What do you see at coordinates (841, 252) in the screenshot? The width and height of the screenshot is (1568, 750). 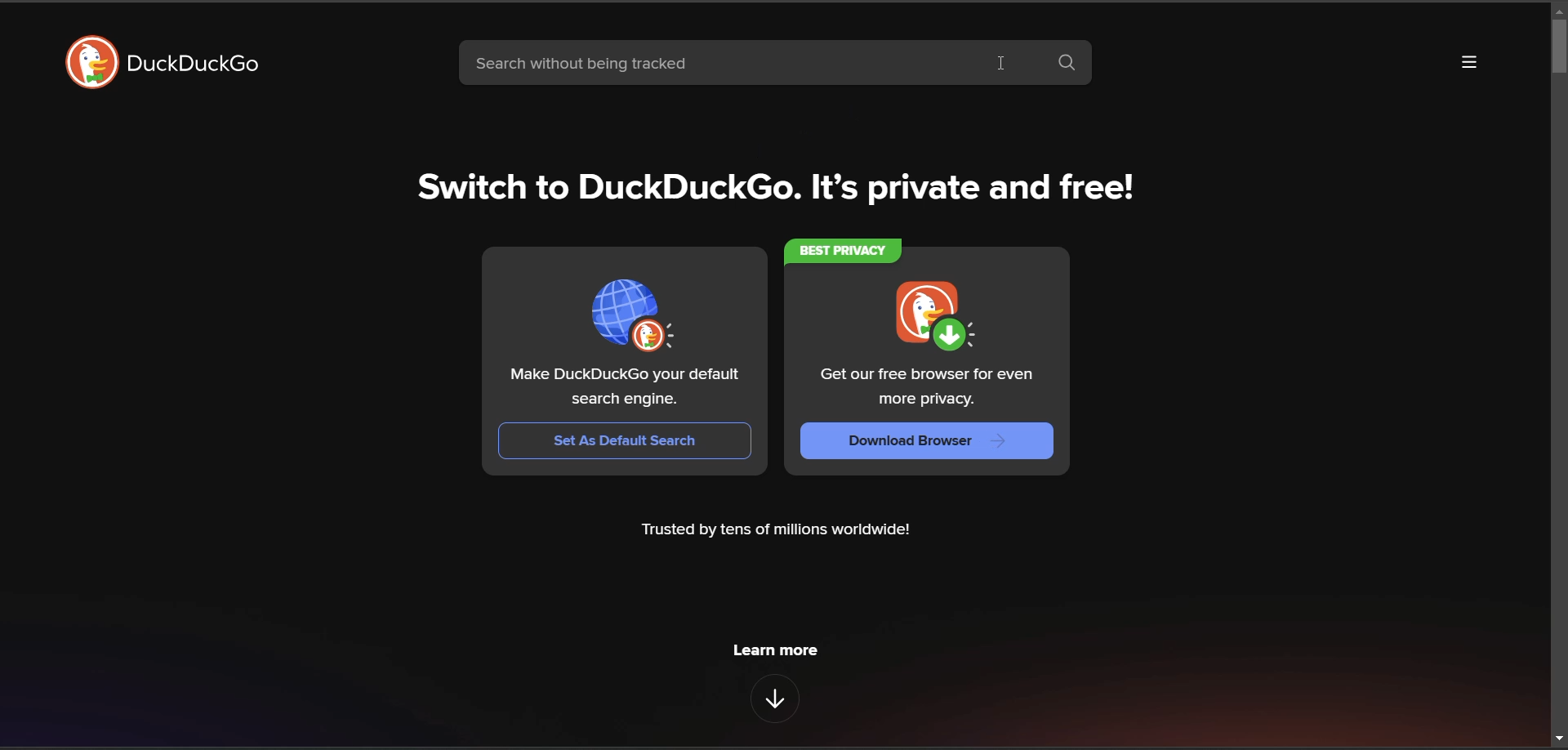 I see `BEST PRIVACY` at bounding box center [841, 252].